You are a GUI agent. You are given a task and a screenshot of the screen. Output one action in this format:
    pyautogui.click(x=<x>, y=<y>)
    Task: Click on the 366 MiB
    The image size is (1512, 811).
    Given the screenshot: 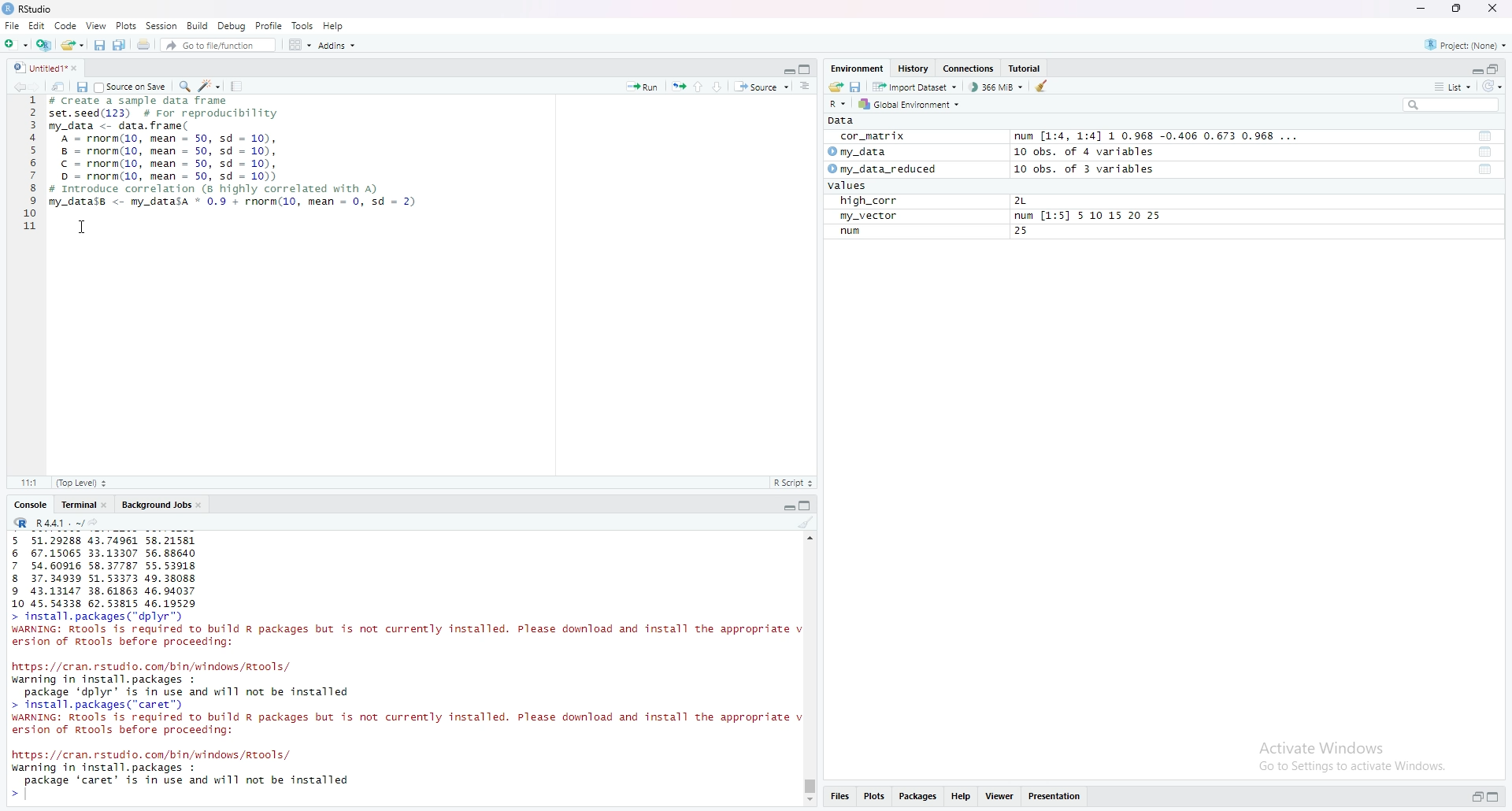 What is the action you would take?
    pyautogui.click(x=996, y=87)
    